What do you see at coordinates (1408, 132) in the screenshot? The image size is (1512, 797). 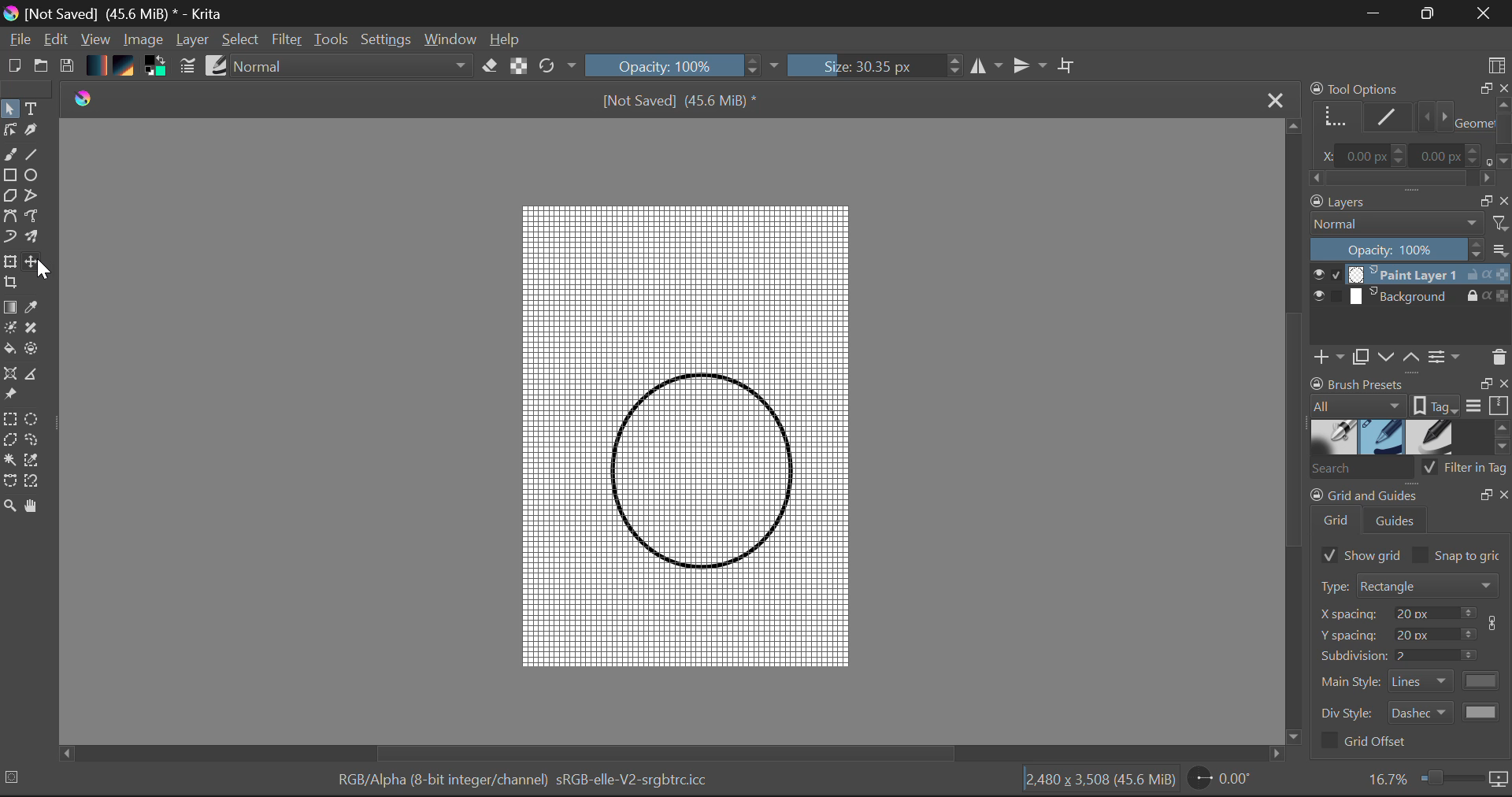 I see `Tool Options` at bounding box center [1408, 132].